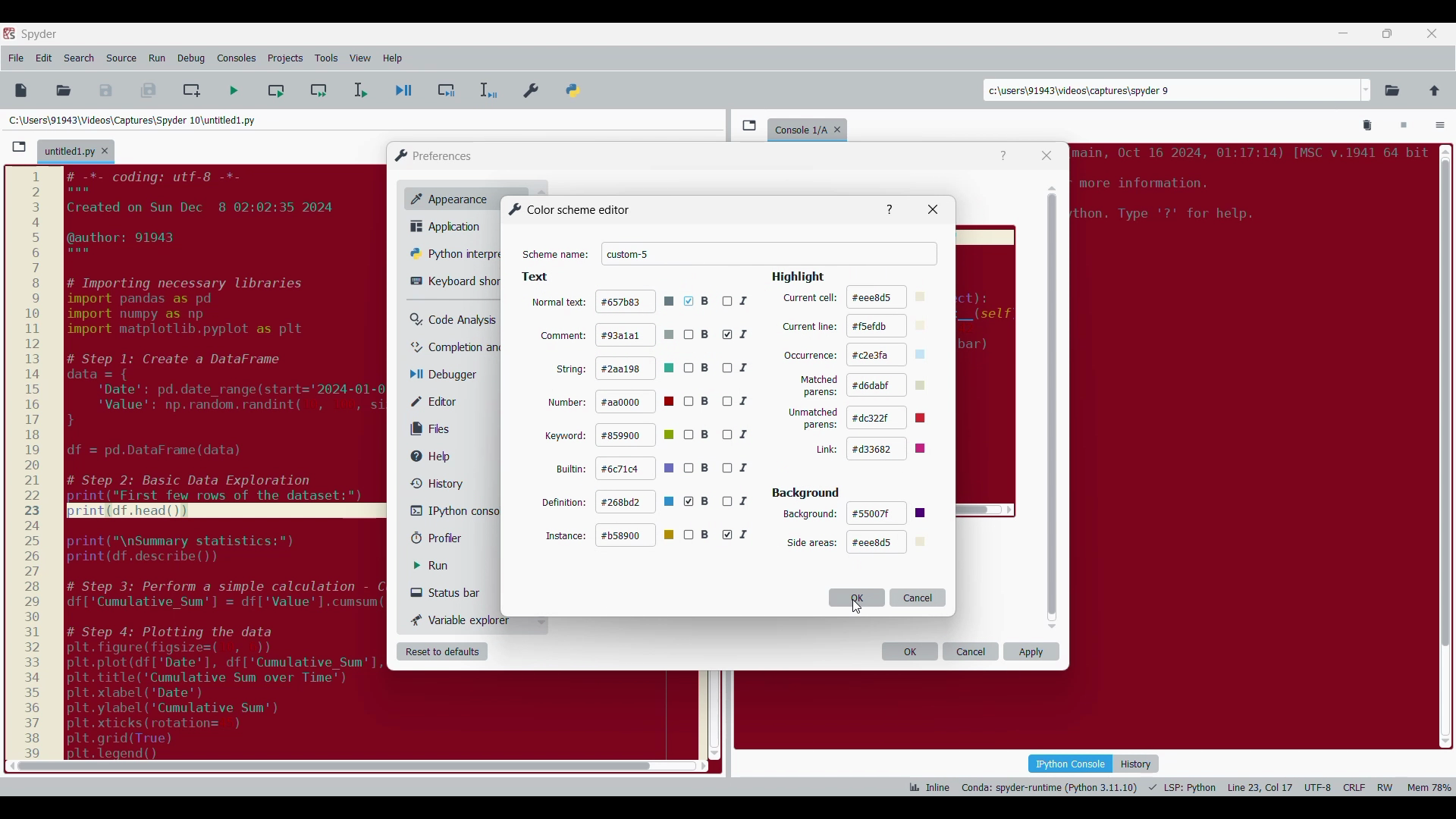 Image resolution: width=1456 pixels, height=819 pixels. What do you see at coordinates (697, 368) in the screenshot?
I see `B` at bounding box center [697, 368].